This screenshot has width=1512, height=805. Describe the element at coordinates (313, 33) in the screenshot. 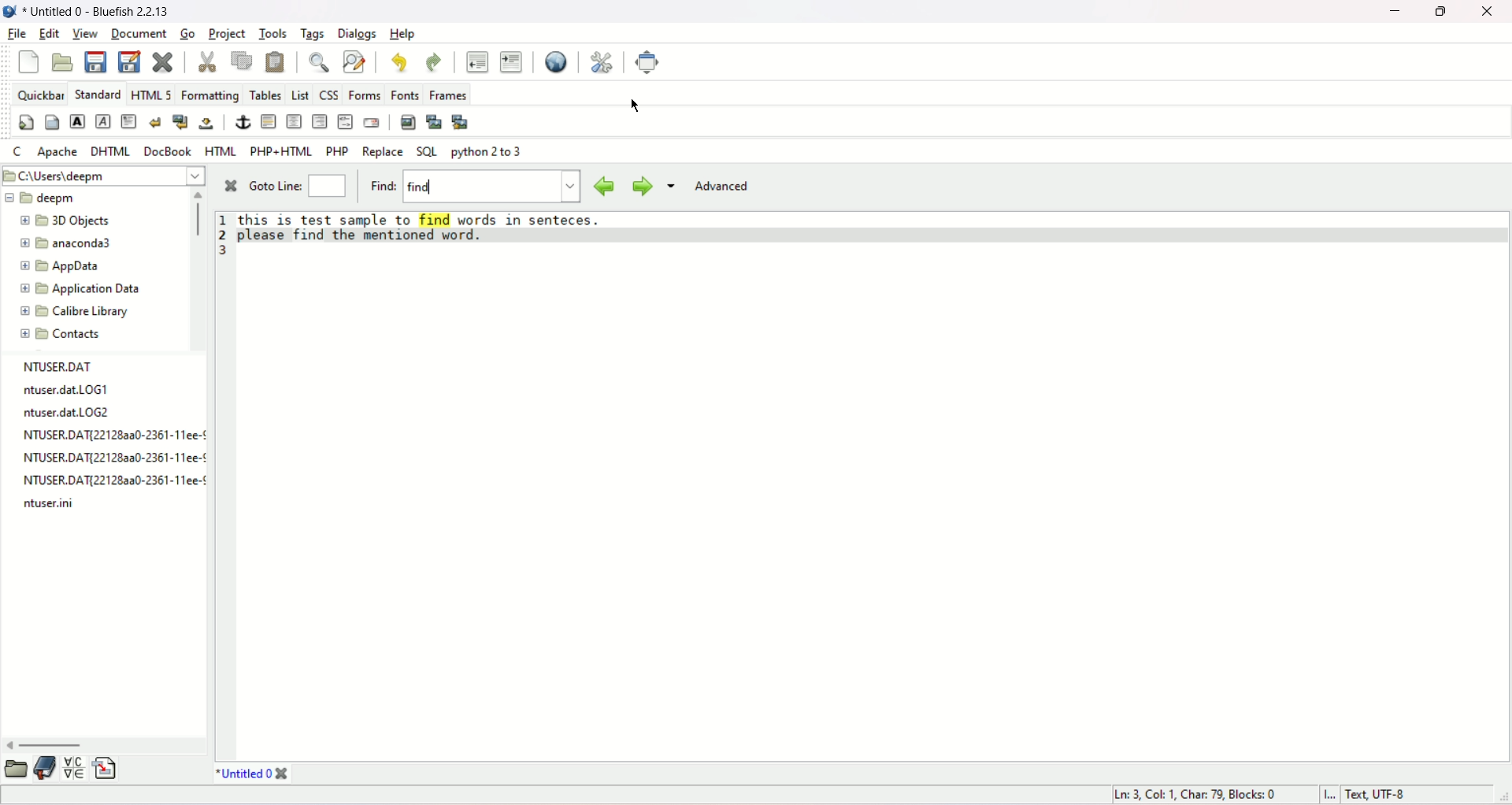

I see `tags` at that location.